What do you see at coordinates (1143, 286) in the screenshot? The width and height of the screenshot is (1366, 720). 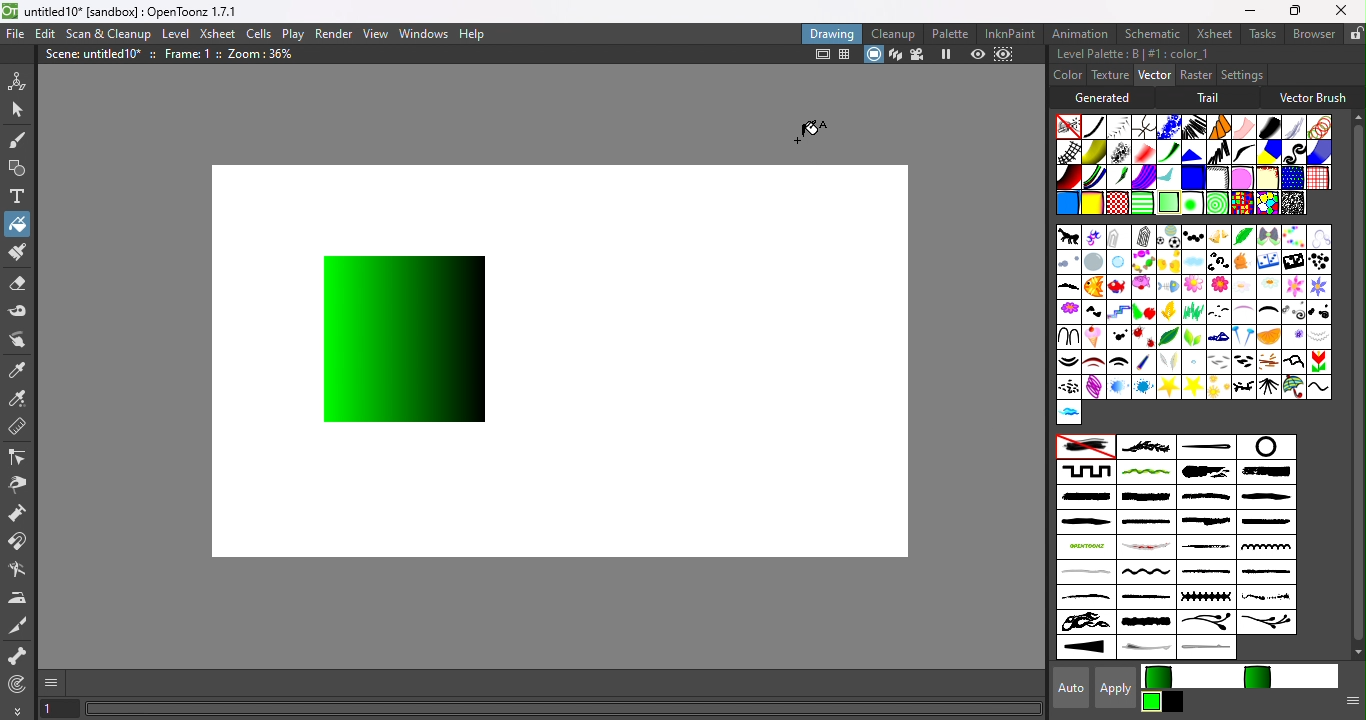 I see `fish3` at bounding box center [1143, 286].